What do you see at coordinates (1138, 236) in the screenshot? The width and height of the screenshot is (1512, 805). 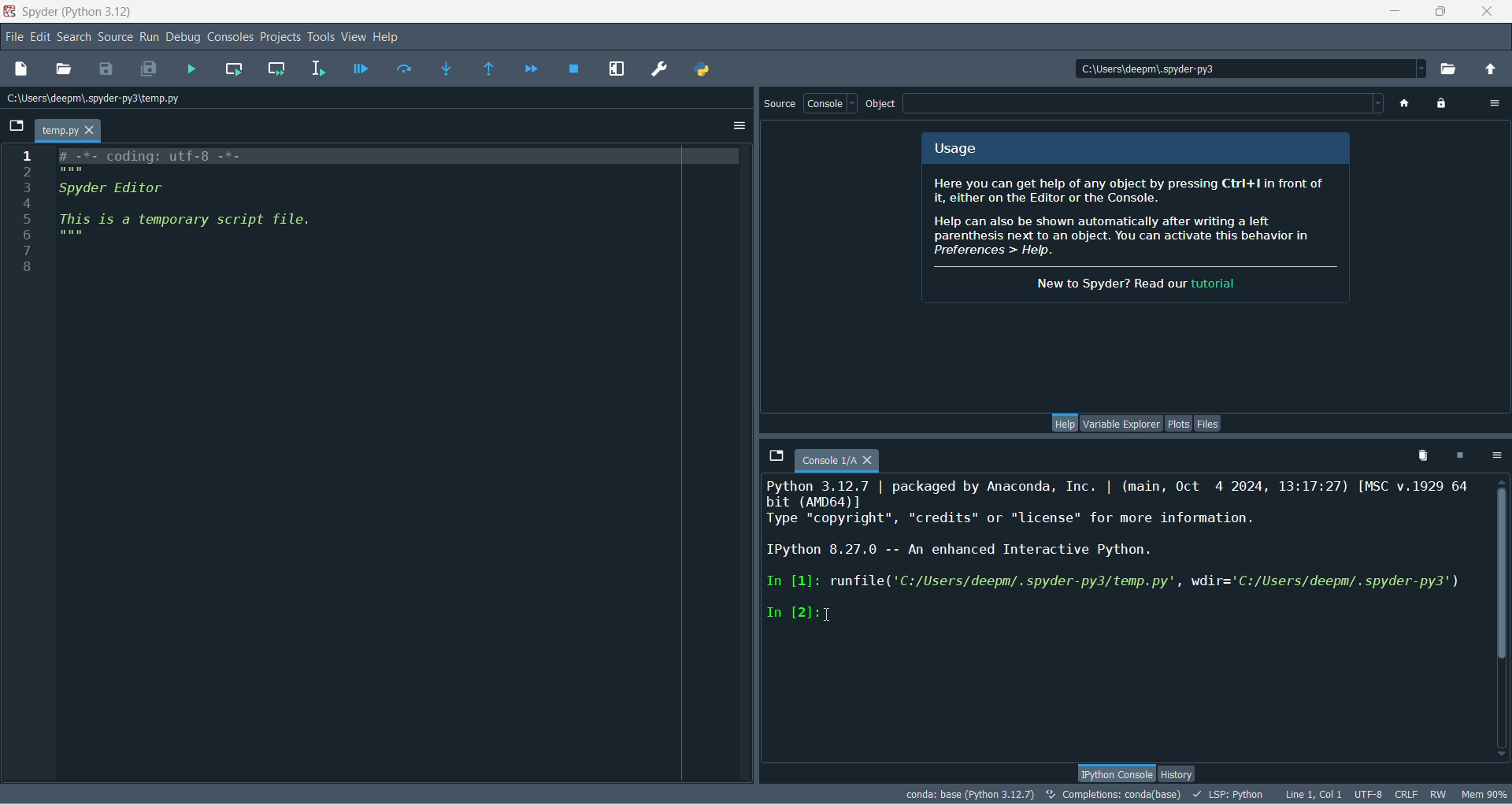 I see `spyder info` at bounding box center [1138, 236].